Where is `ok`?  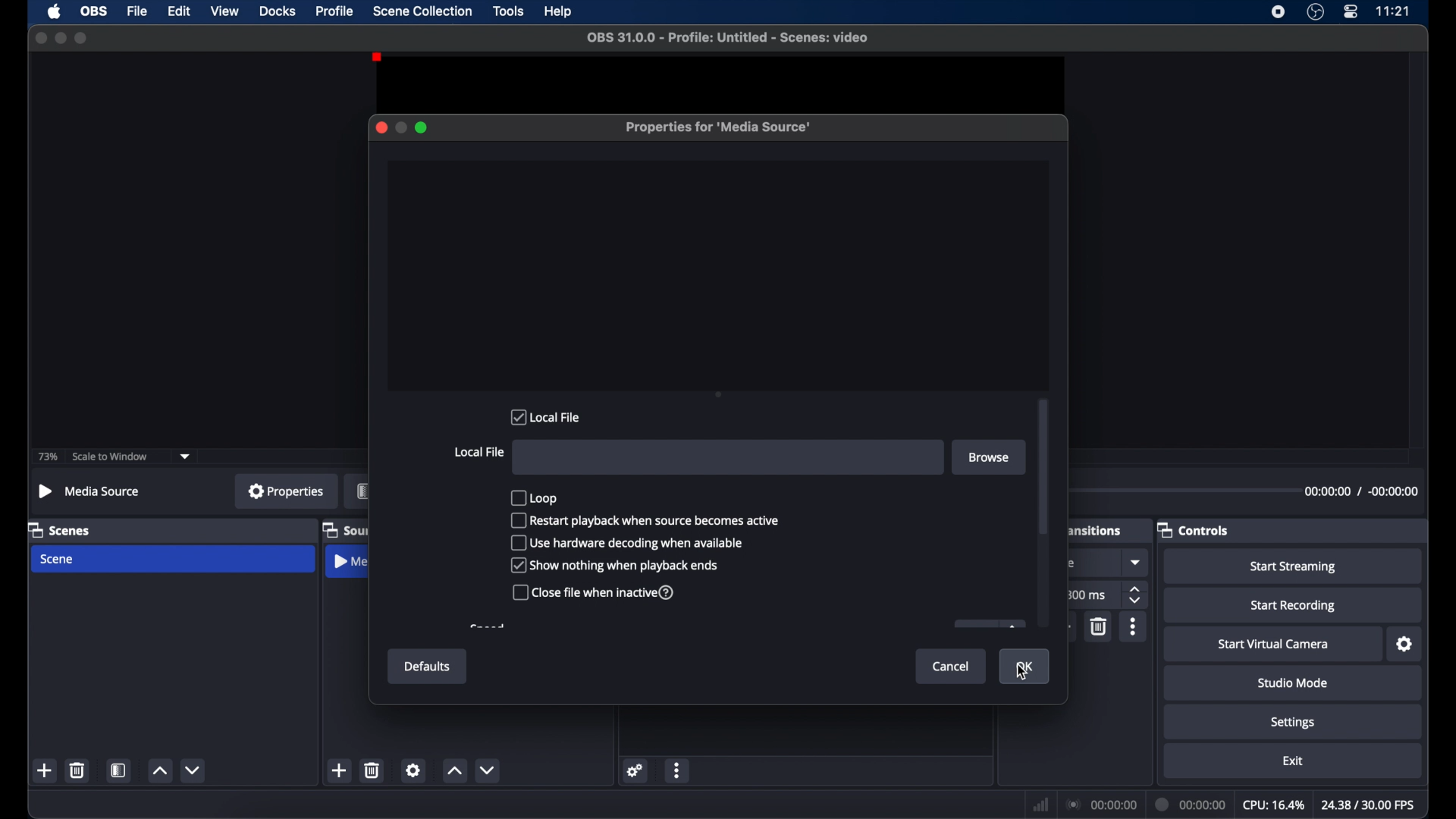 ok is located at coordinates (1025, 667).